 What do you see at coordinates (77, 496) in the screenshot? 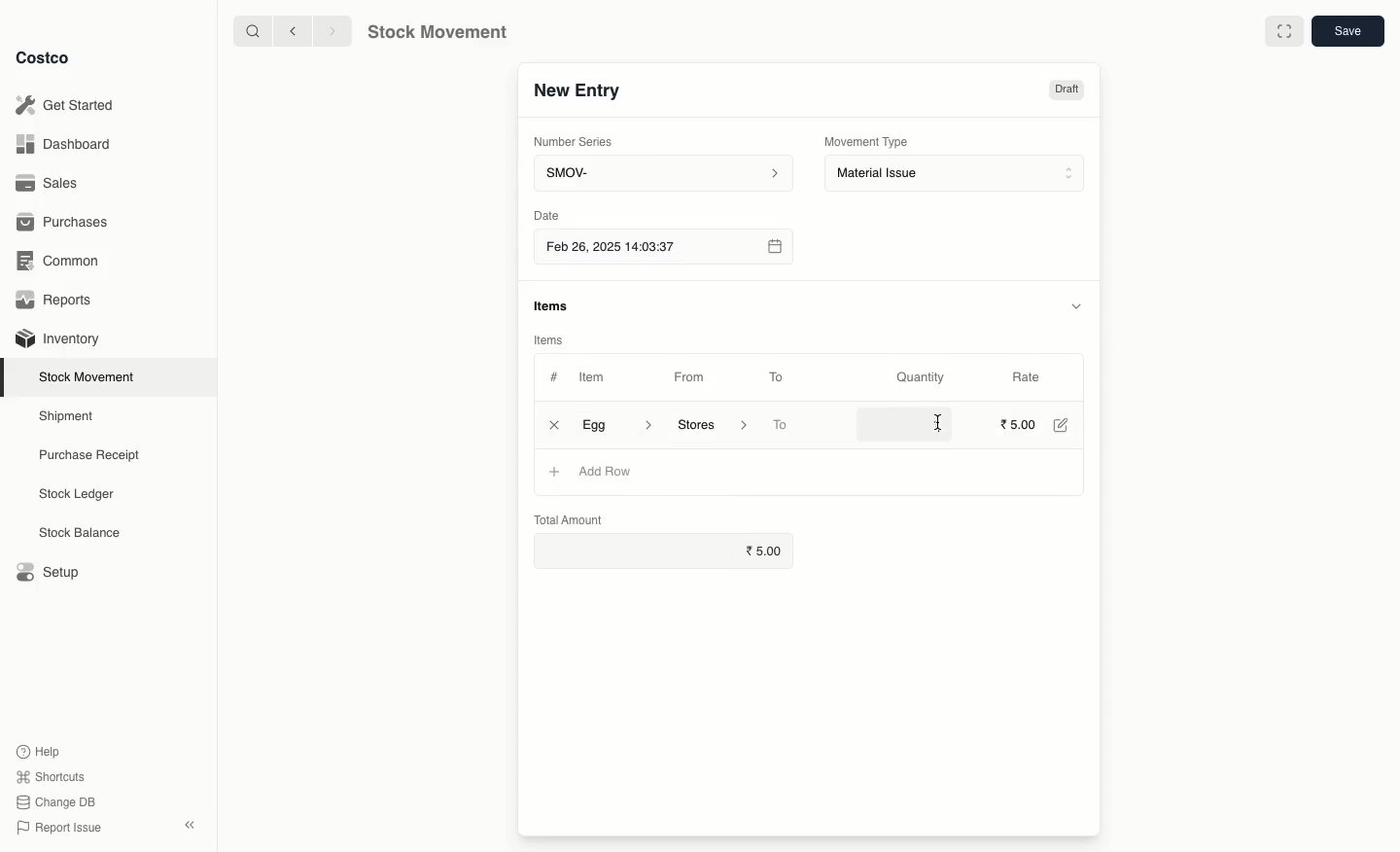
I see `Stock Ledger` at bounding box center [77, 496].